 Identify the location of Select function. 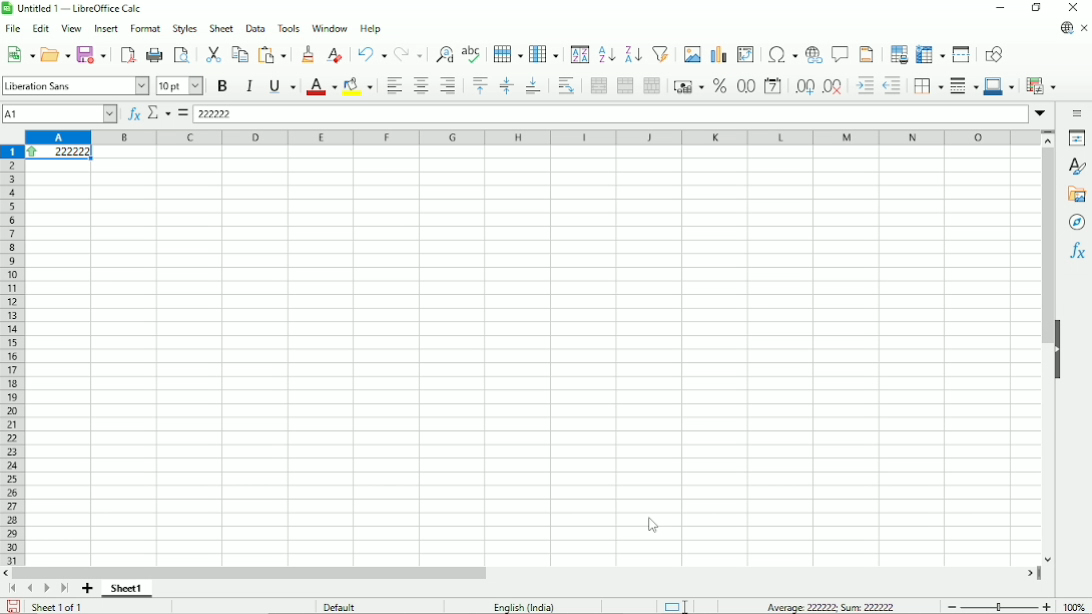
(159, 113).